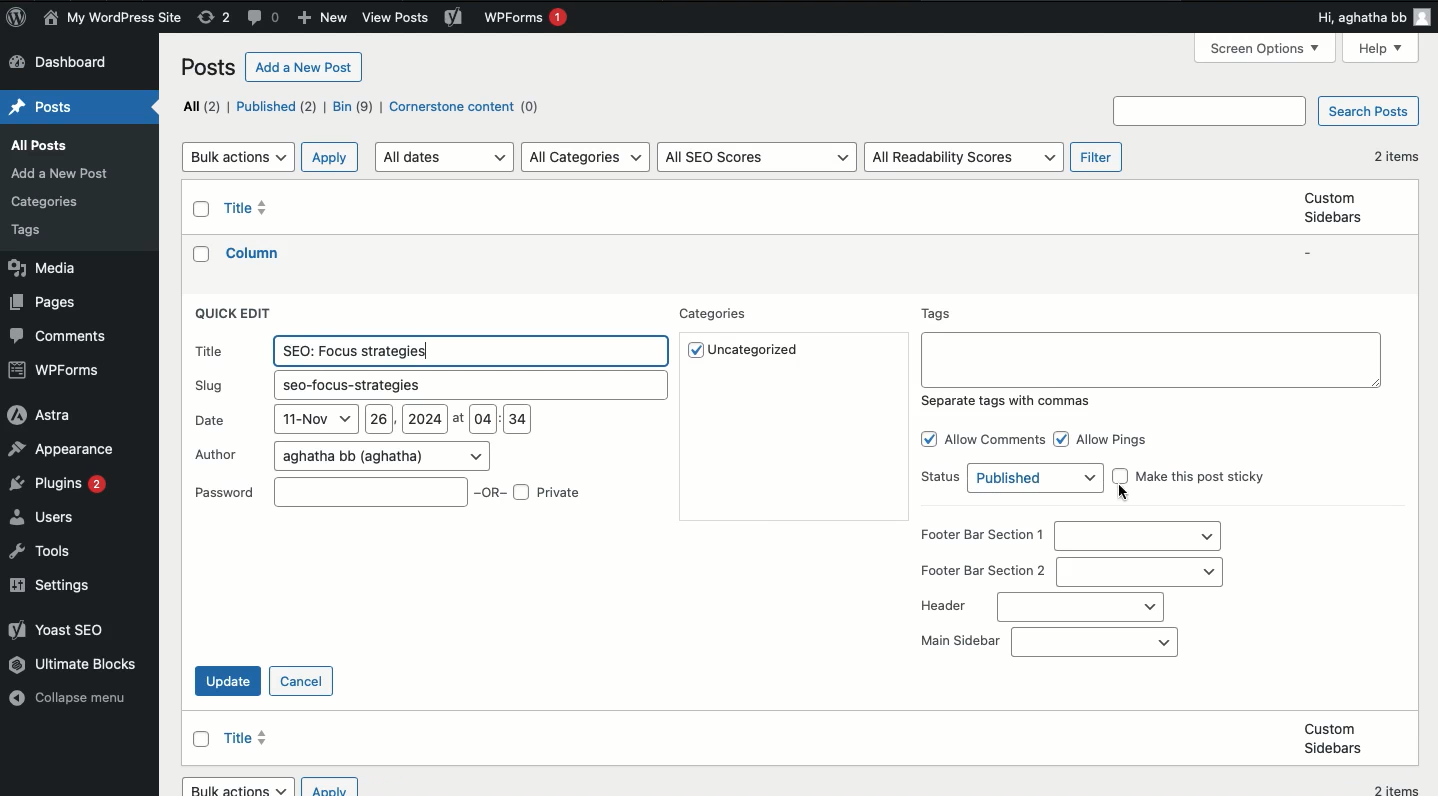  I want to click on All dates, so click(447, 156).